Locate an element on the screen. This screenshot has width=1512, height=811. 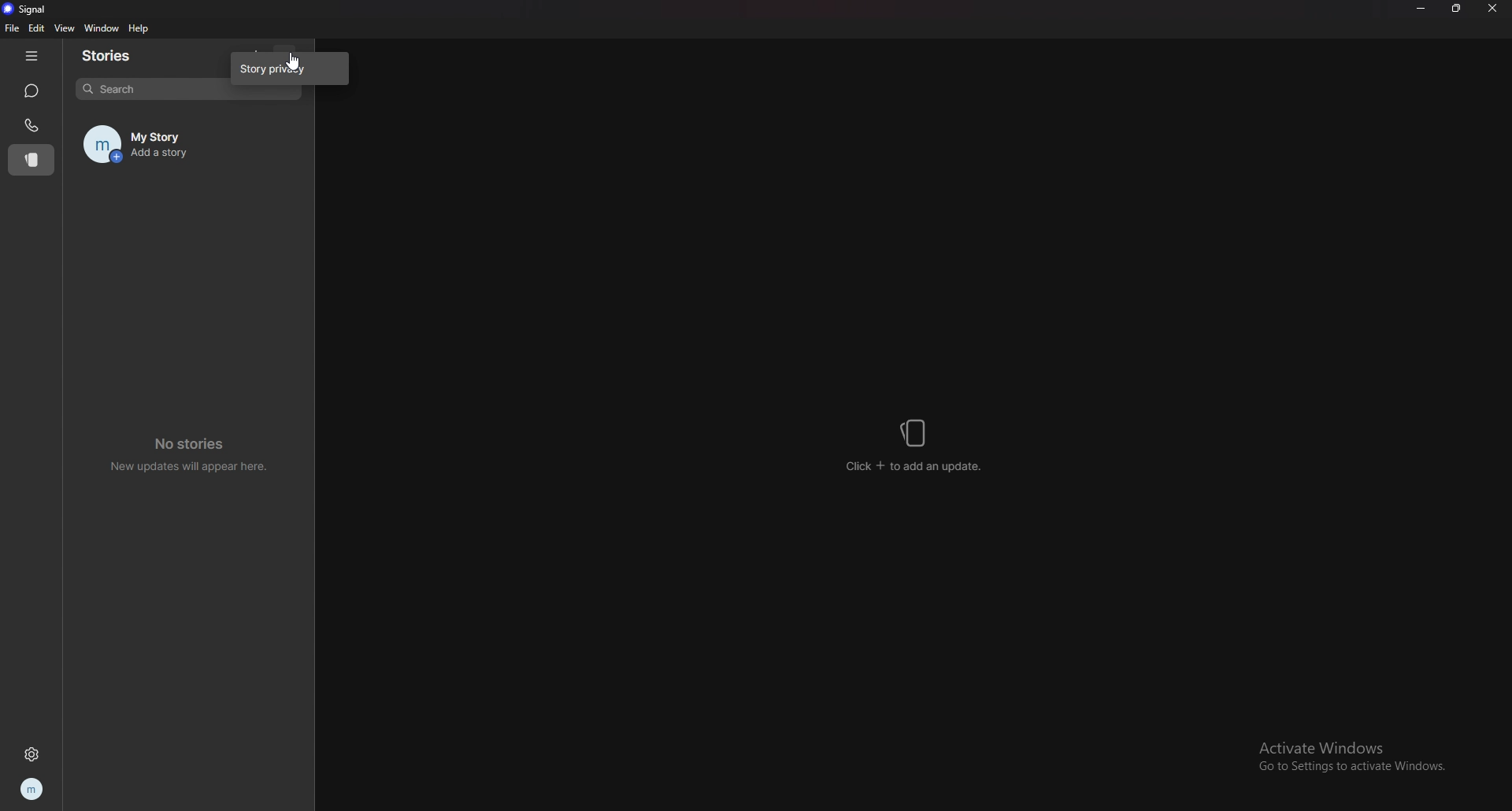
No stories is located at coordinates (195, 443).